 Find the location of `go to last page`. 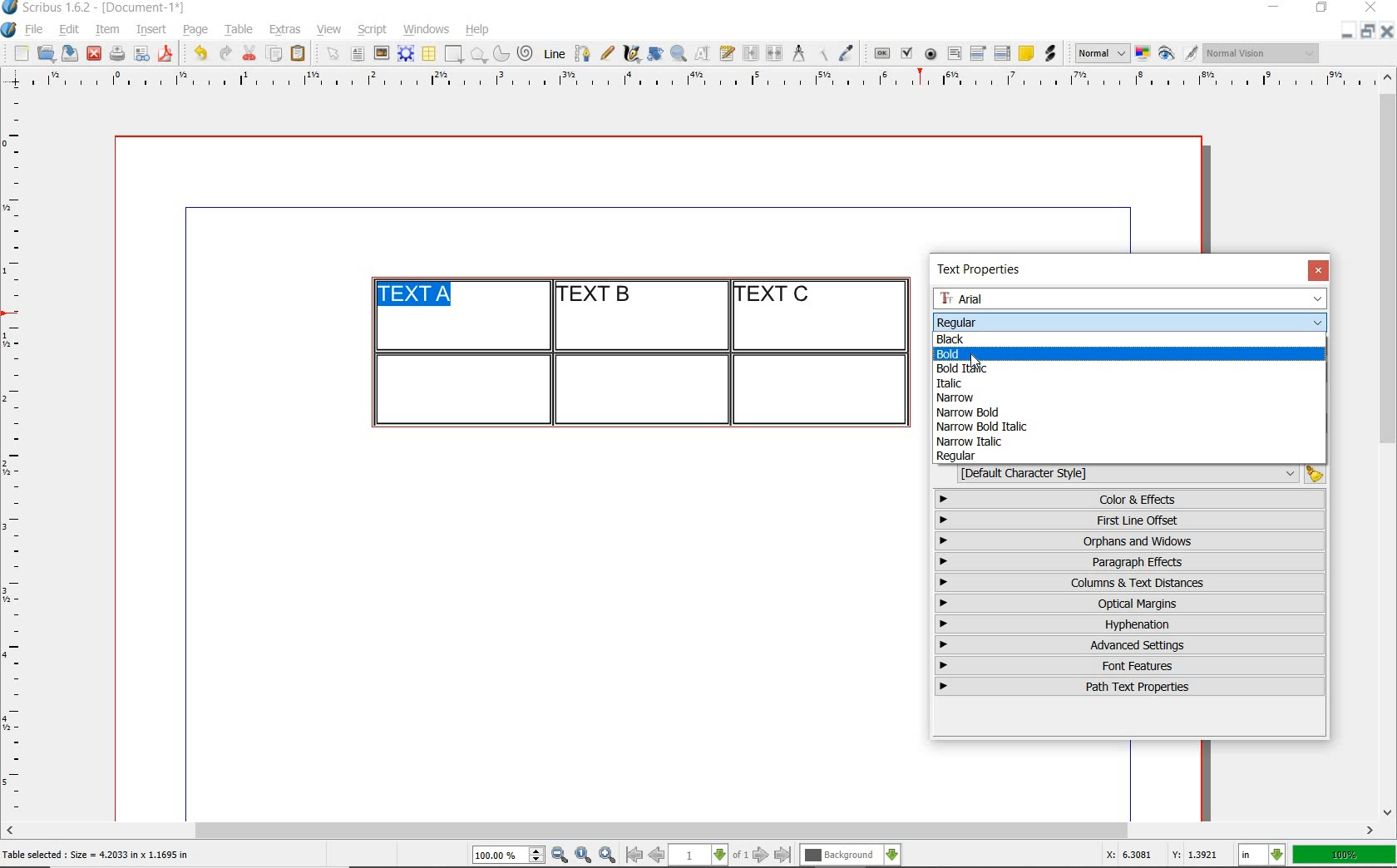

go to last page is located at coordinates (783, 856).